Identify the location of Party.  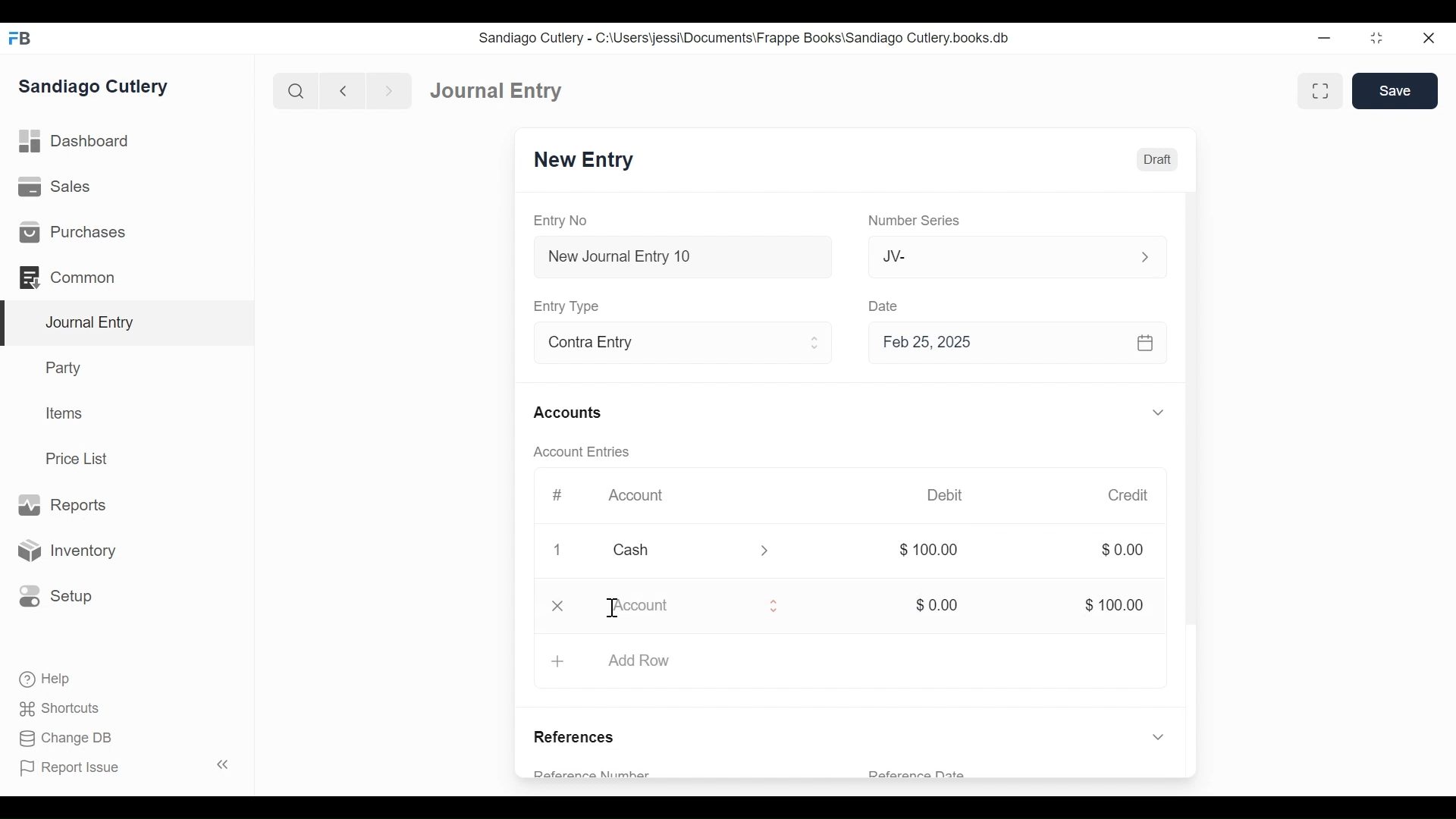
(61, 368).